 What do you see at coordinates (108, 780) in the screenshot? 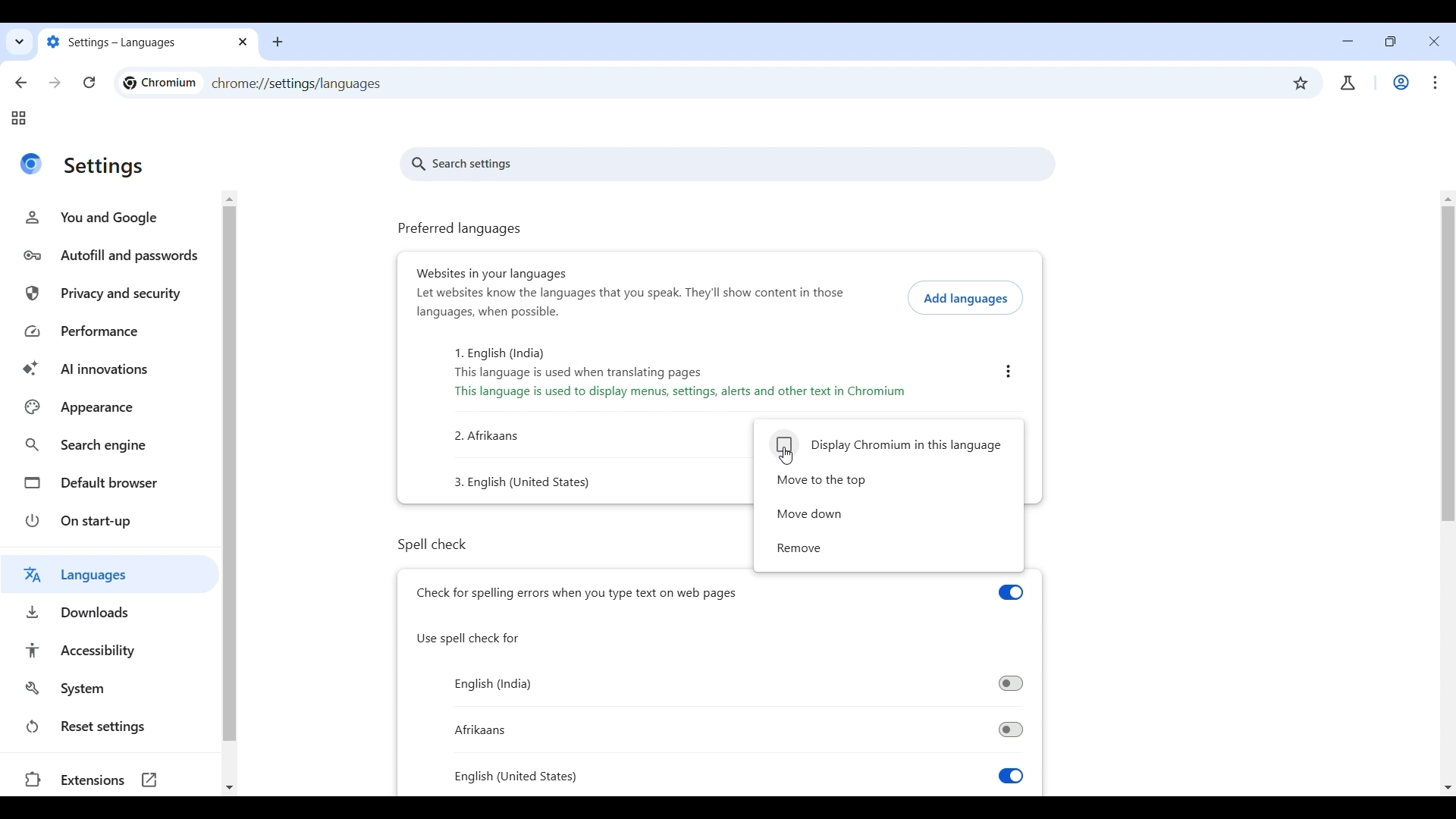
I see `Extensions` at bounding box center [108, 780].